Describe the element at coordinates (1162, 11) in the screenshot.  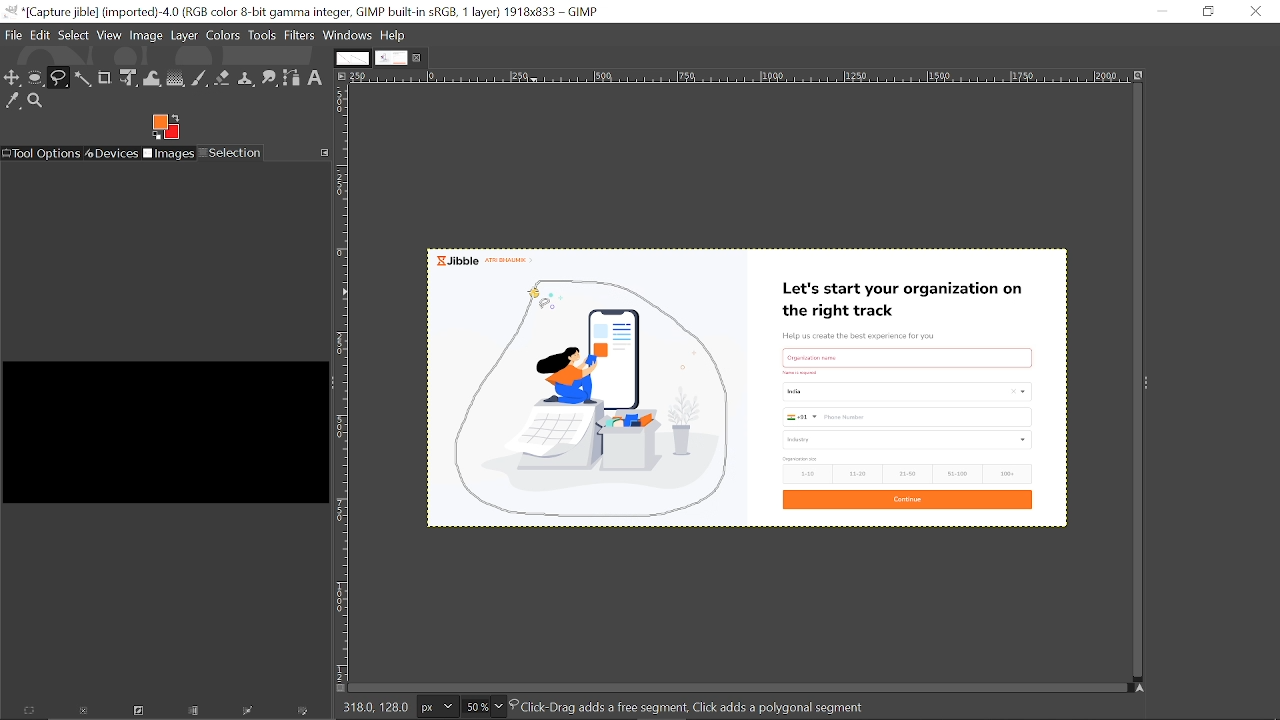
I see `Minimize` at that location.